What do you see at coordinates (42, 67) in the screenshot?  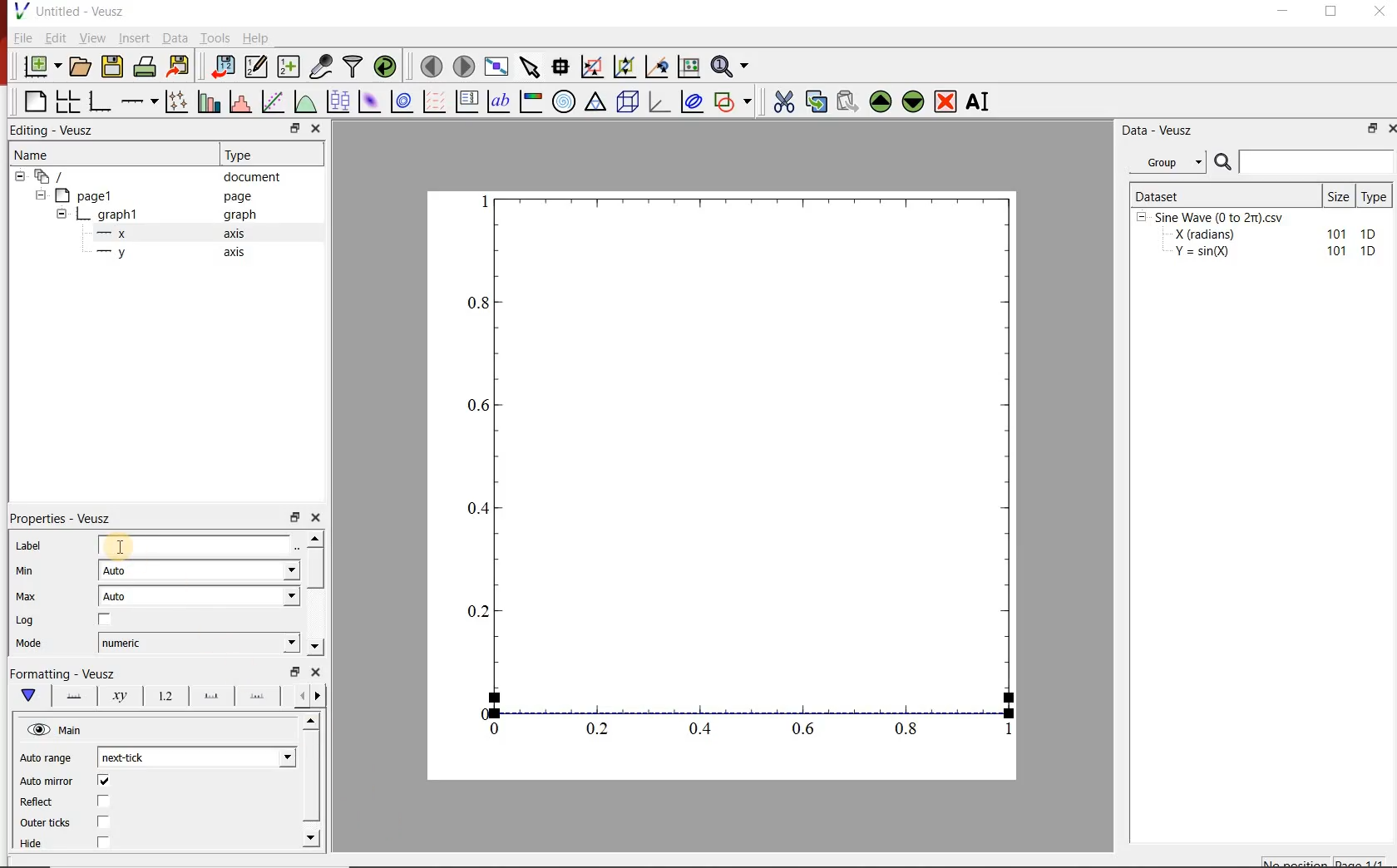 I see `new document` at bounding box center [42, 67].